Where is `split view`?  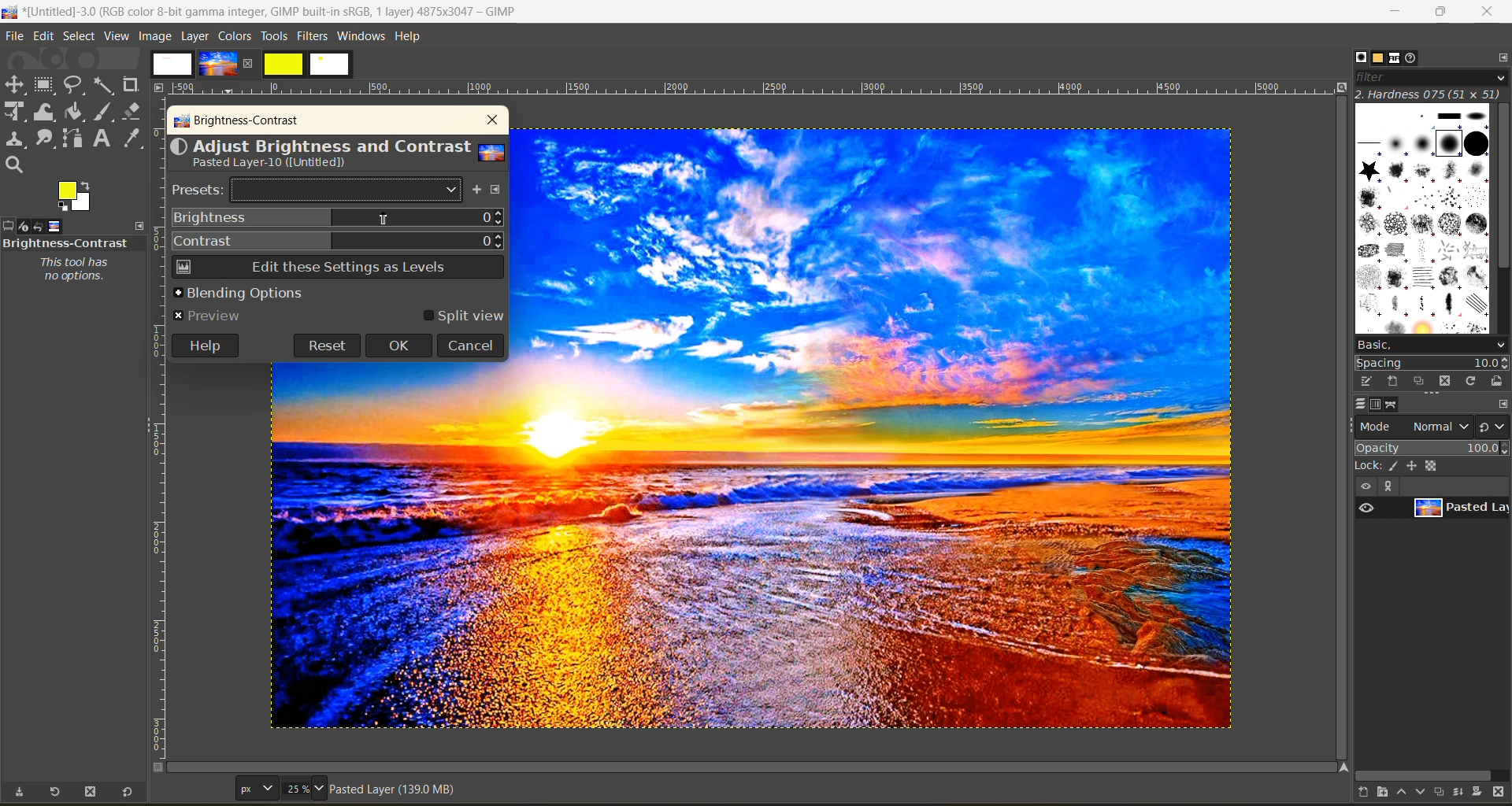 split view is located at coordinates (463, 316).